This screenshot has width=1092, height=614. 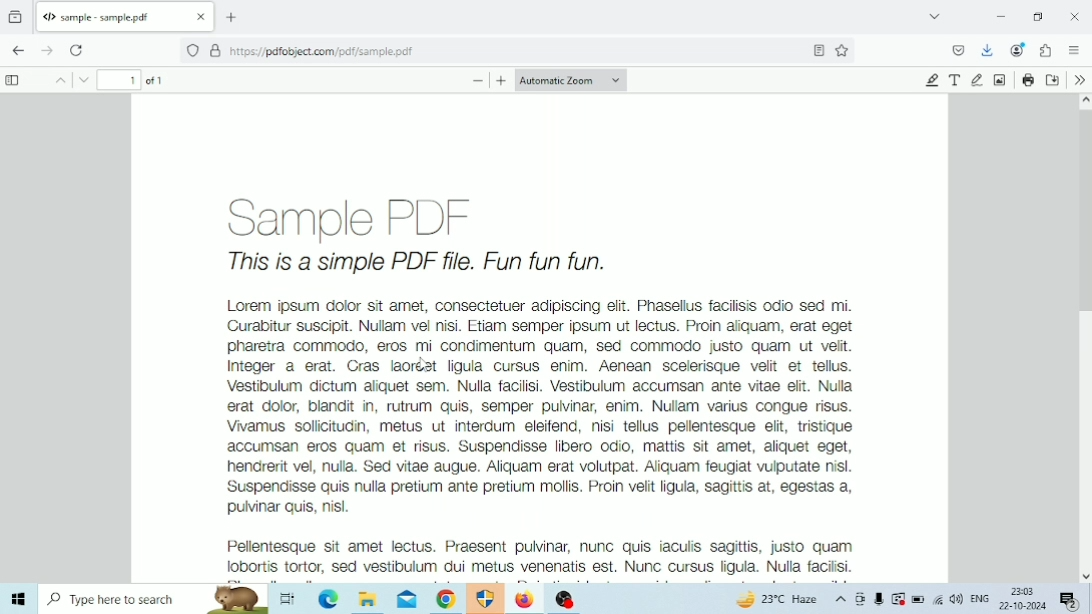 I want to click on Mic, so click(x=879, y=599).